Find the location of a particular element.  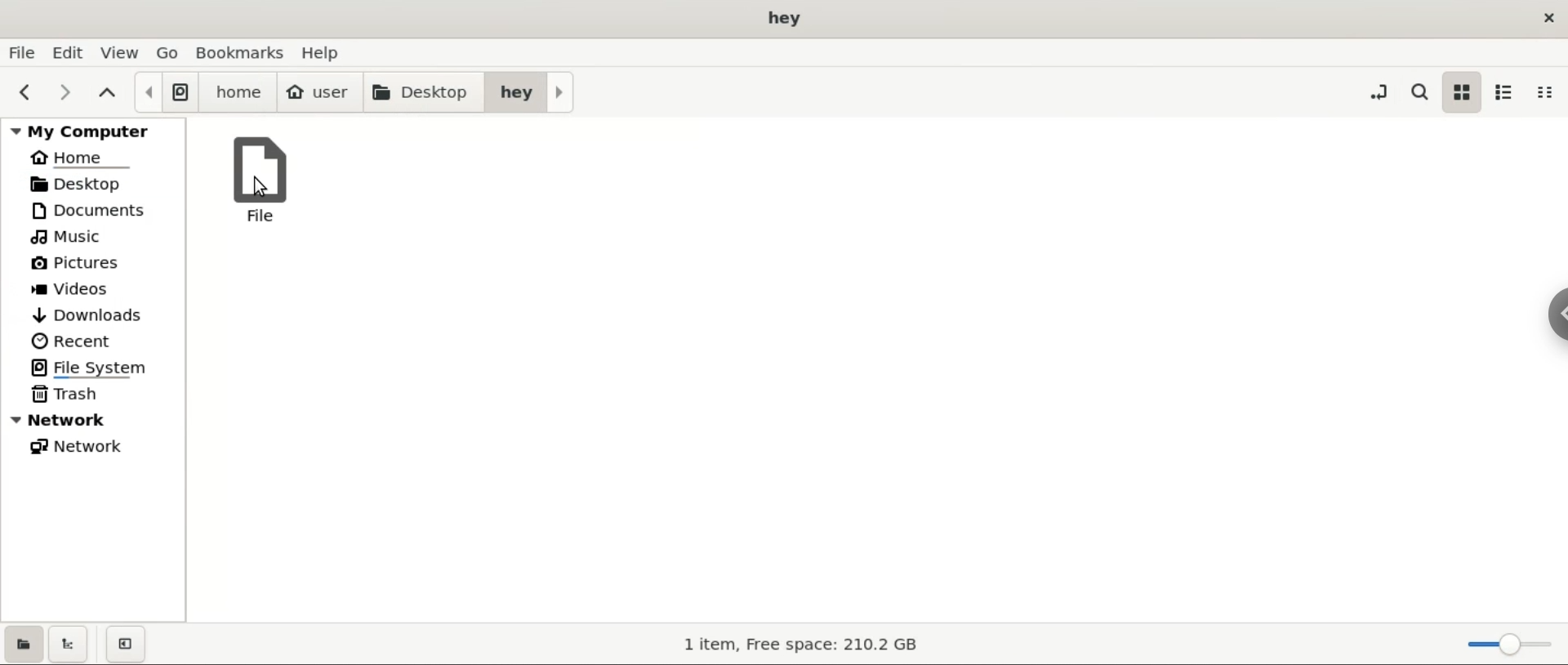

file system is located at coordinates (92, 368).